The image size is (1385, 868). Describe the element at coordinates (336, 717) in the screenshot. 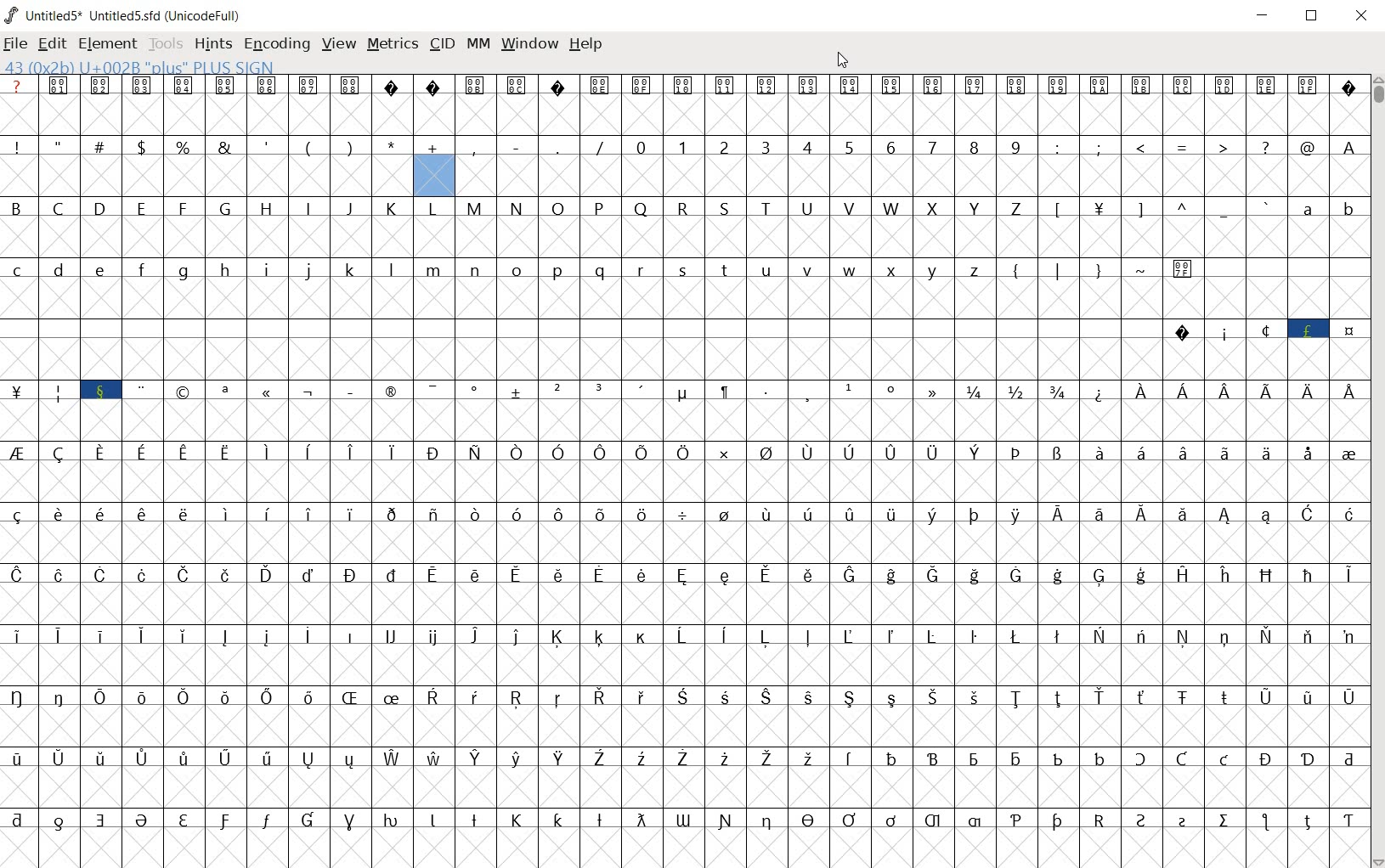

I see `accented characters` at that location.